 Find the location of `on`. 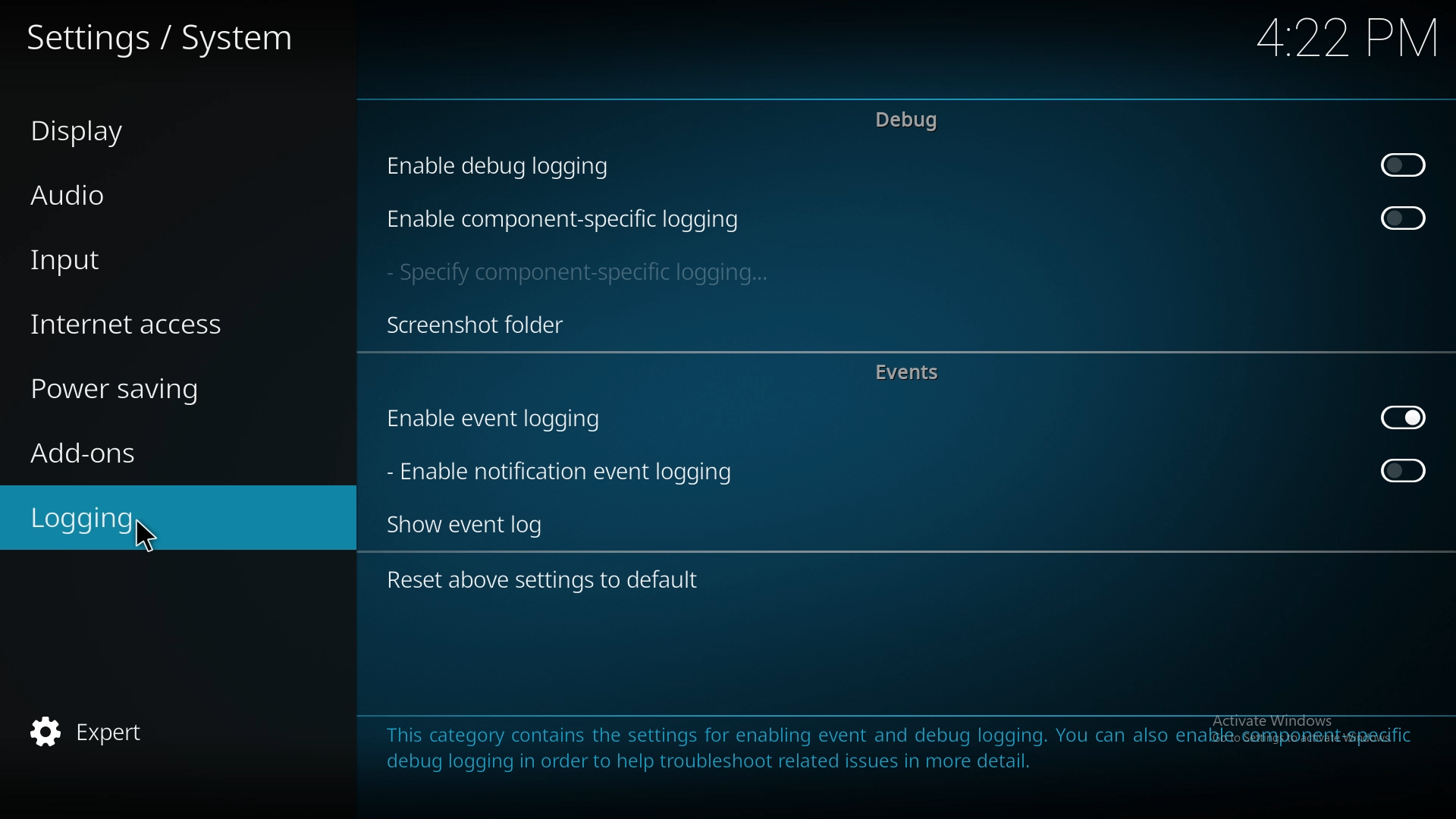

on is located at coordinates (1403, 417).